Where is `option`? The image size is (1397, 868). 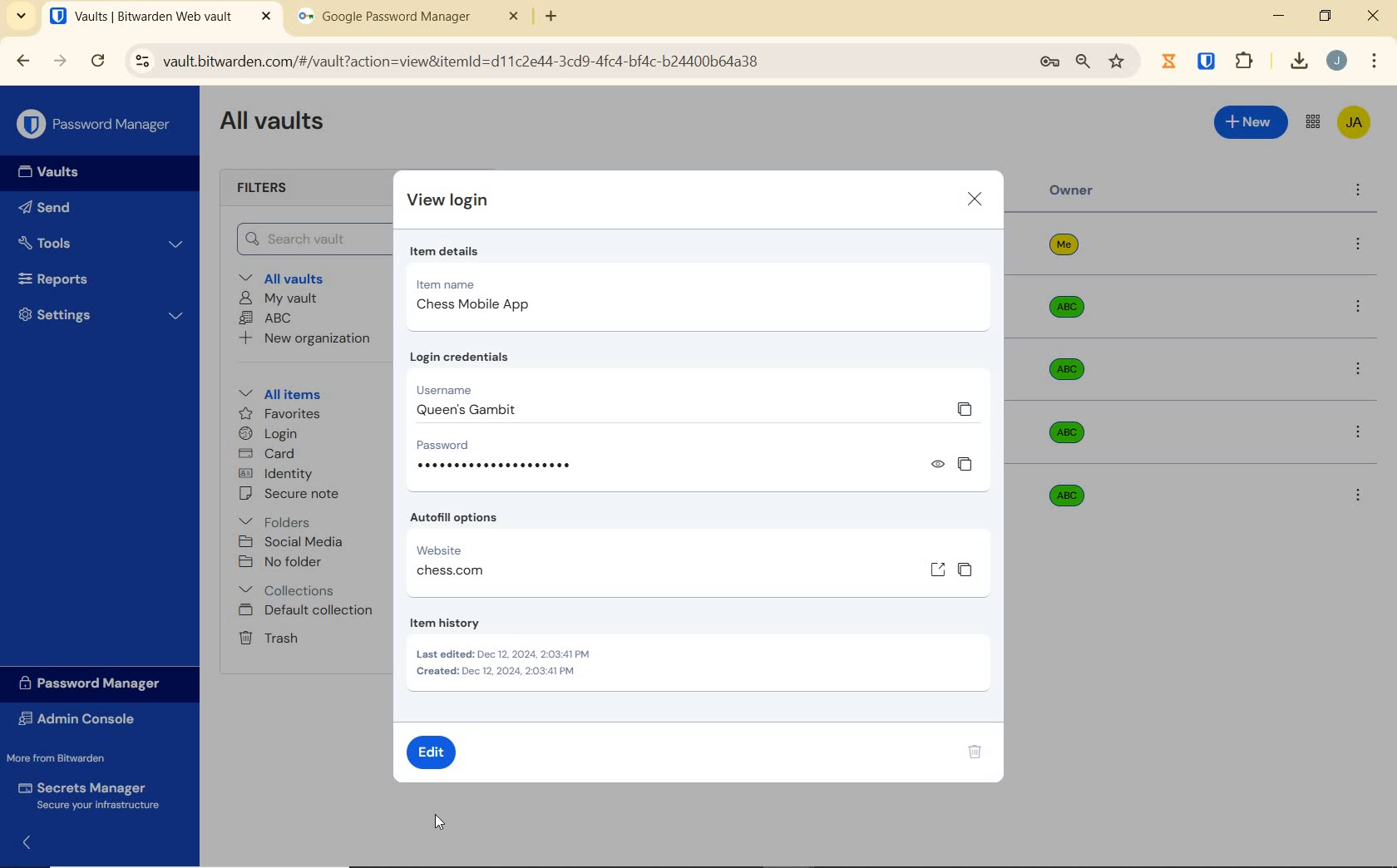
option is located at coordinates (1357, 431).